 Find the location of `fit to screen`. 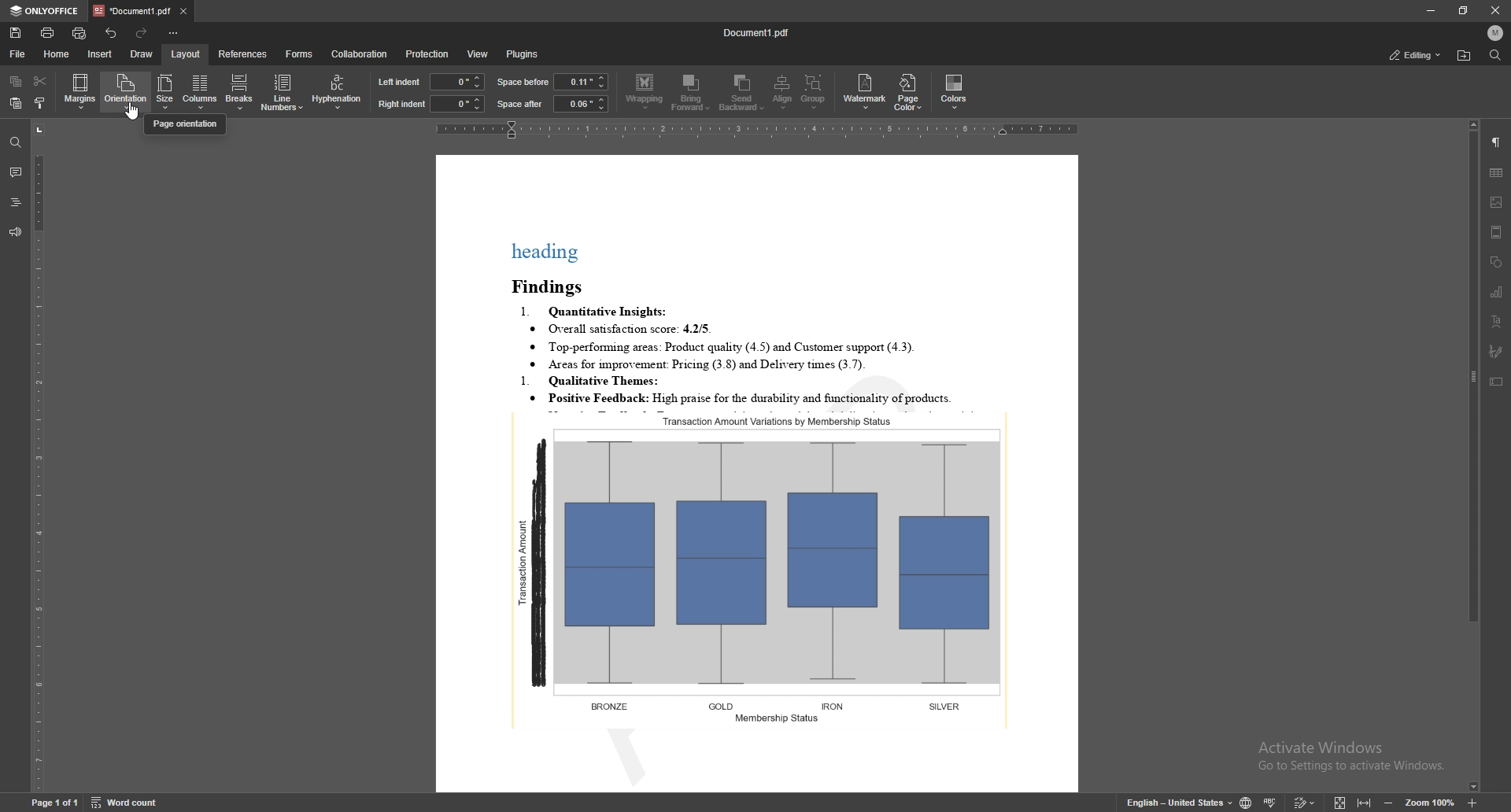

fit to screen is located at coordinates (1340, 801).